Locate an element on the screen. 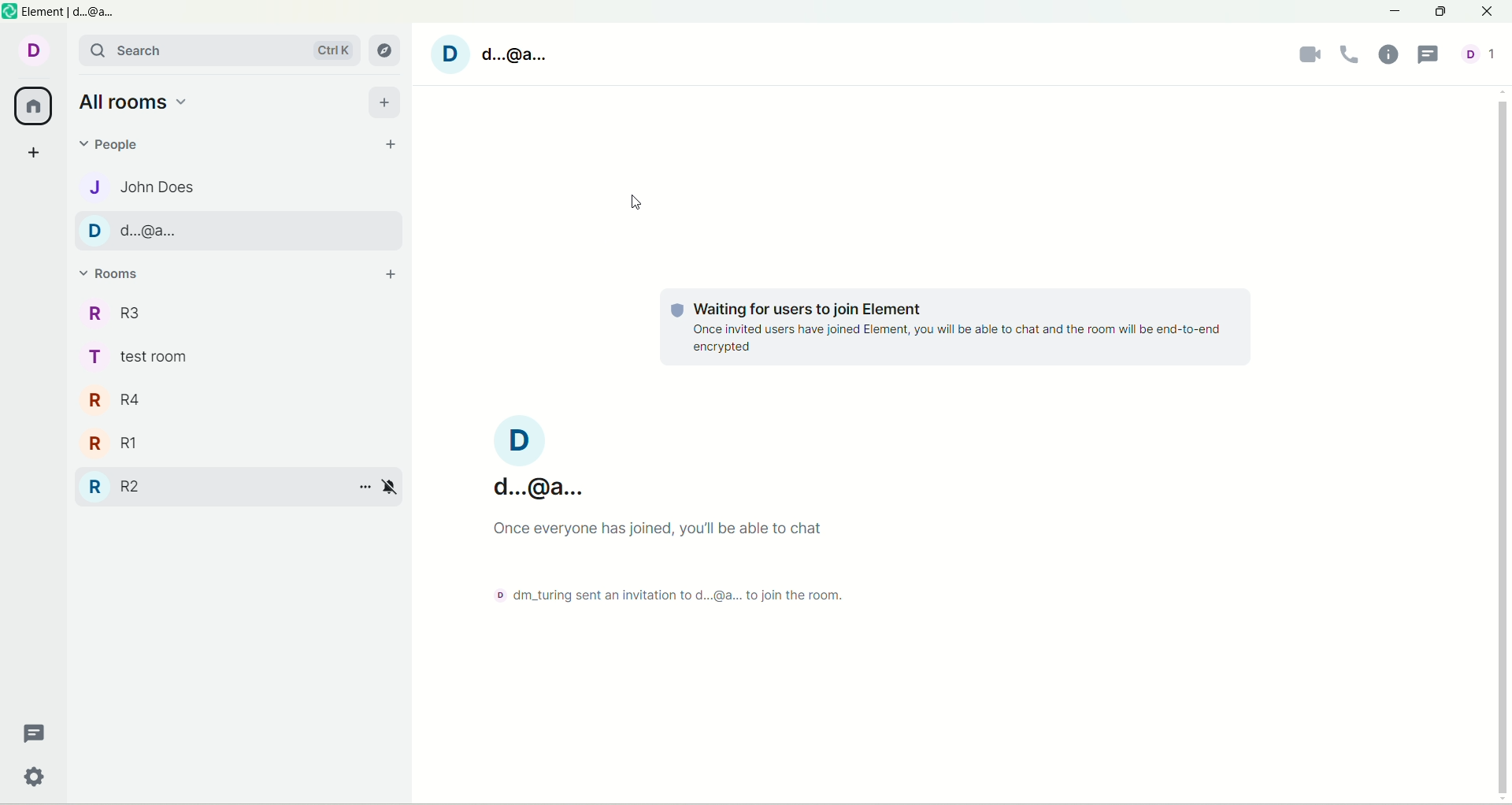 Image resolution: width=1512 pixels, height=805 pixels. minimize is located at coordinates (1396, 12).